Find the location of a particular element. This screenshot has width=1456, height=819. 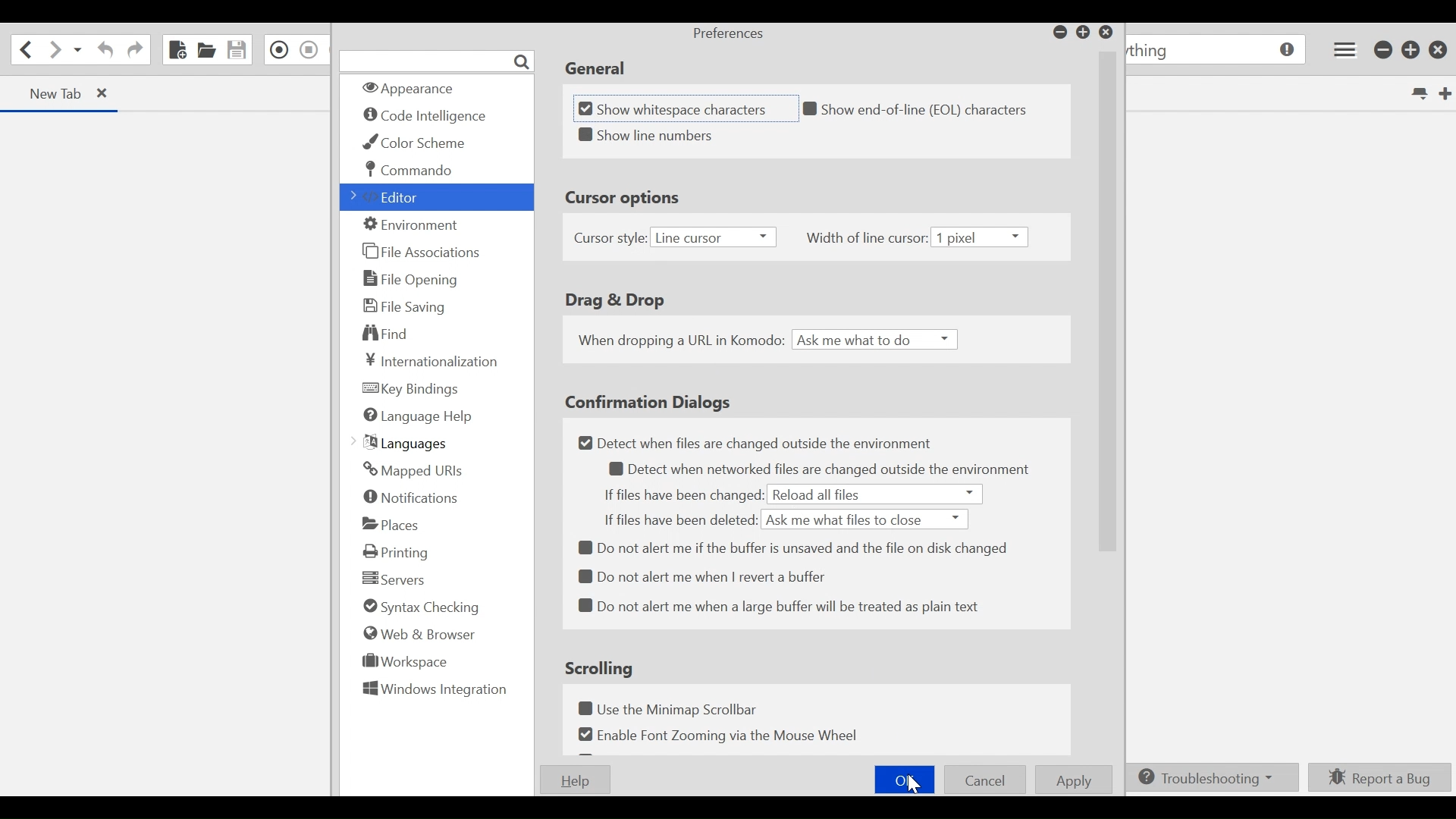

cursor is located at coordinates (914, 783).